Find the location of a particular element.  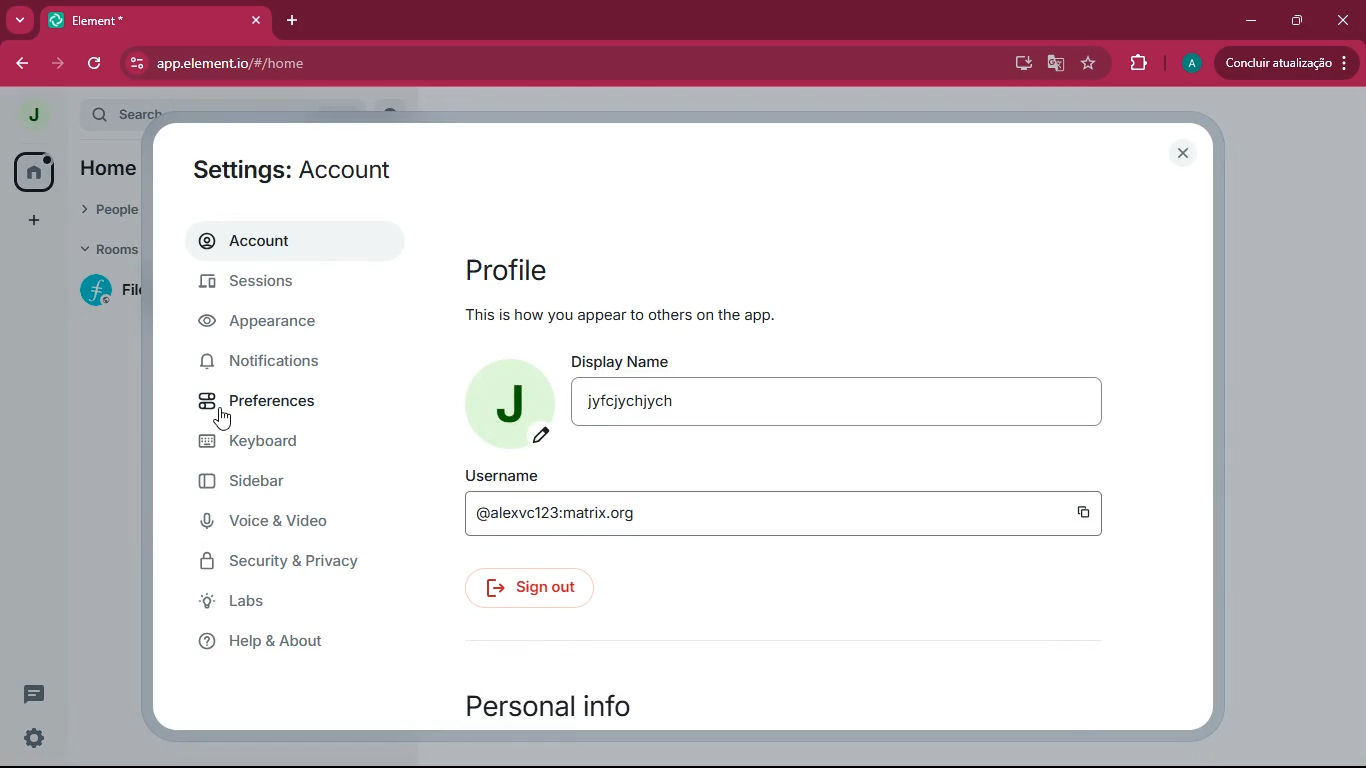

forward is located at coordinates (57, 63).